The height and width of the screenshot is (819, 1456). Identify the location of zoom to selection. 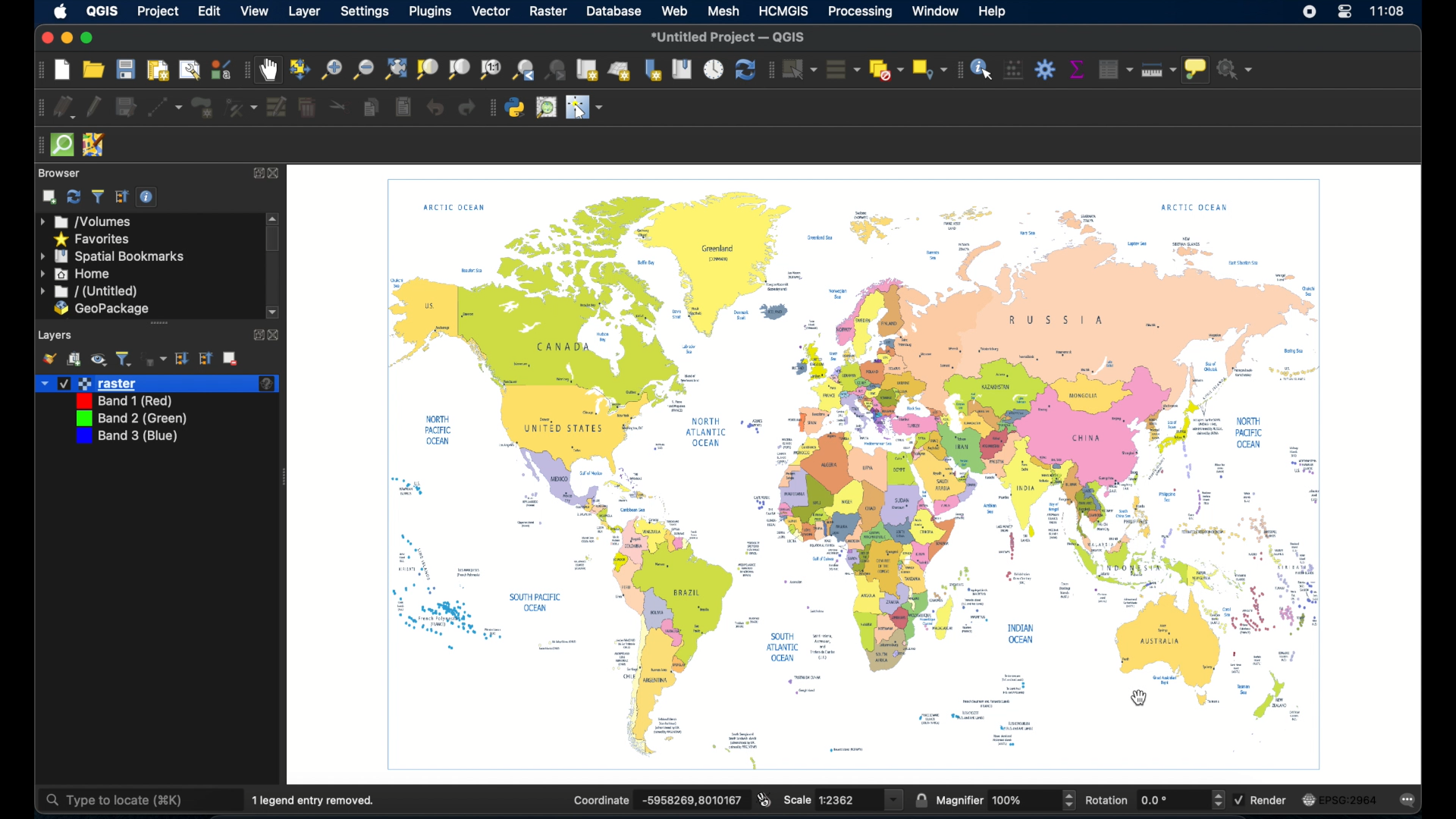
(427, 69).